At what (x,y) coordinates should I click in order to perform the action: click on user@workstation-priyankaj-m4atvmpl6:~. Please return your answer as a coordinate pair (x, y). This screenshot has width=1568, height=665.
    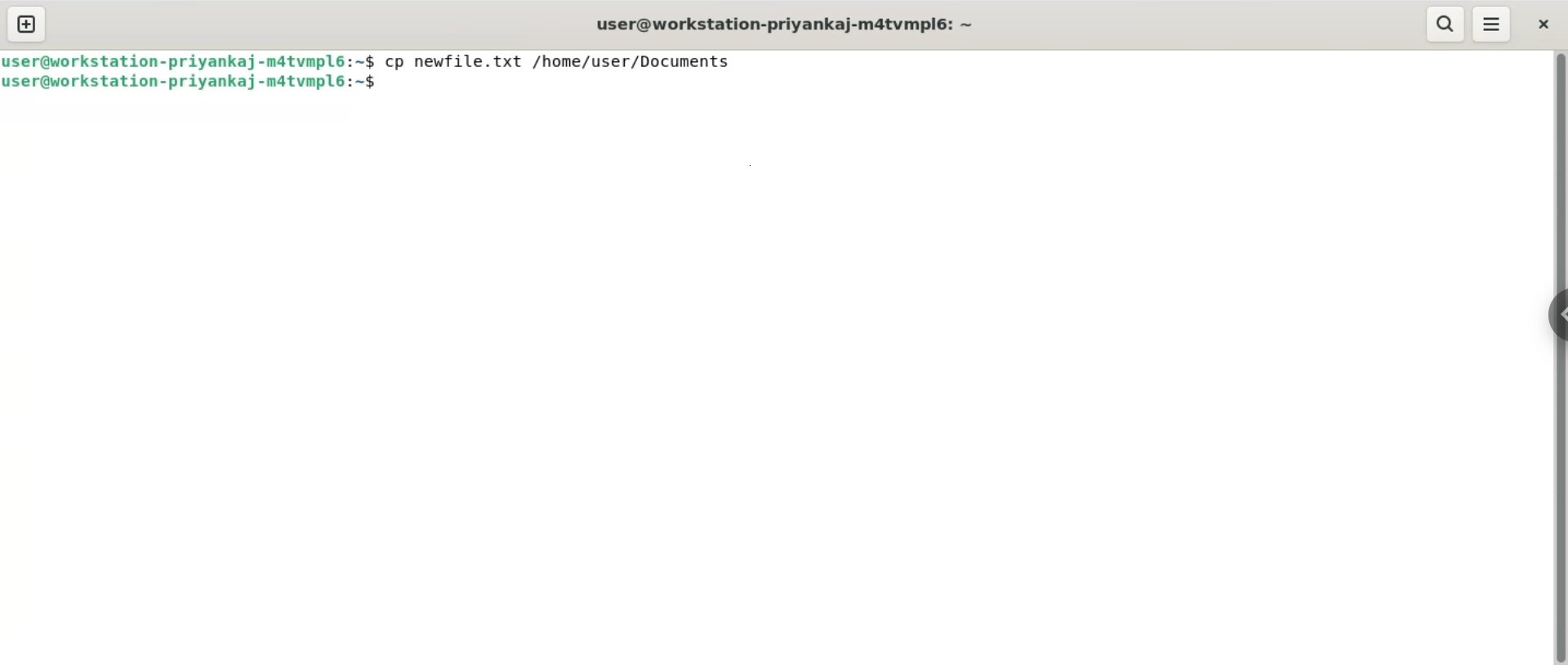
    Looking at the image, I should click on (784, 24).